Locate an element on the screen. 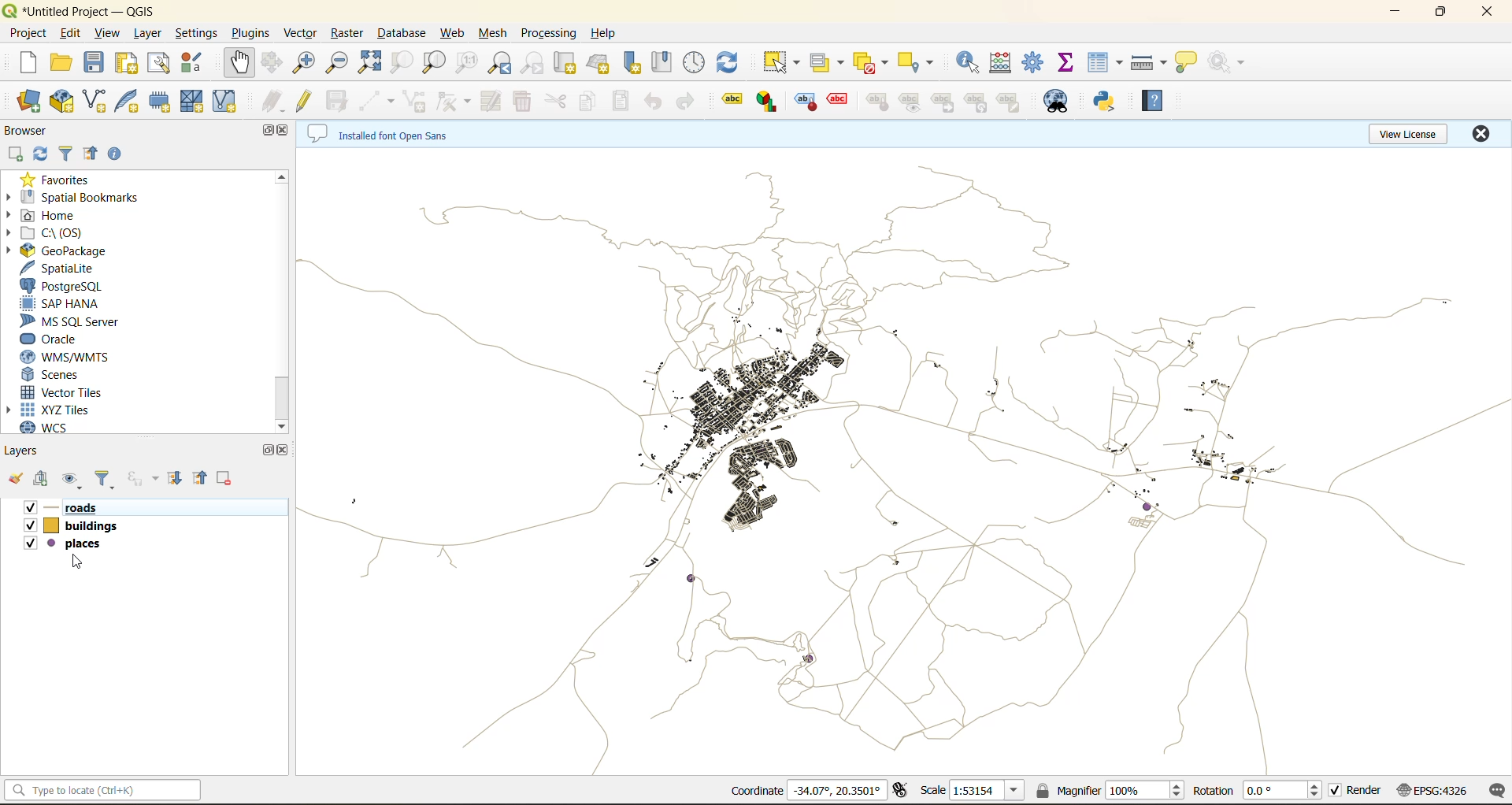  buildings  is located at coordinates (99, 531).